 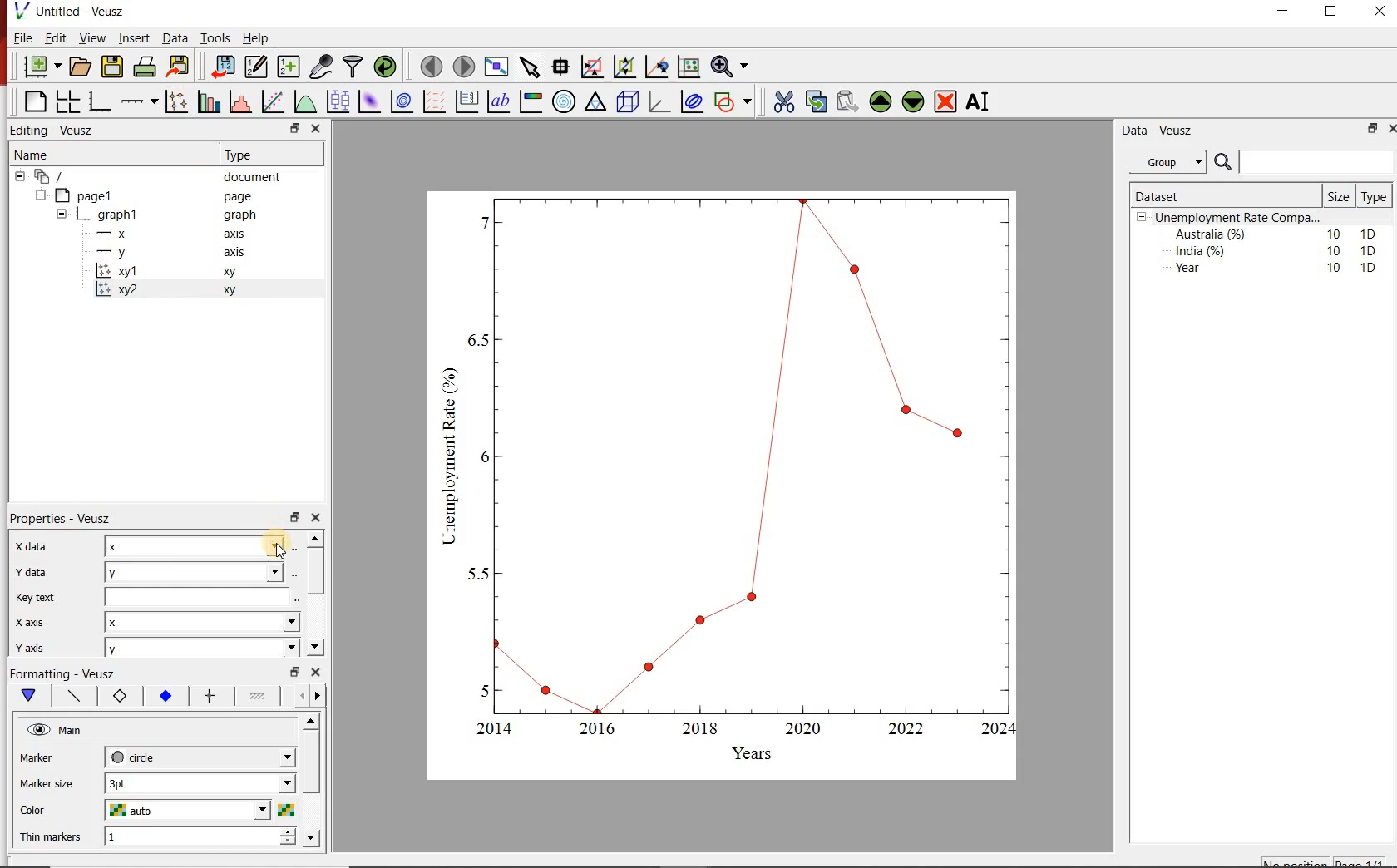 What do you see at coordinates (1302, 162) in the screenshot?
I see `search bar` at bounding box center [1302, 162].